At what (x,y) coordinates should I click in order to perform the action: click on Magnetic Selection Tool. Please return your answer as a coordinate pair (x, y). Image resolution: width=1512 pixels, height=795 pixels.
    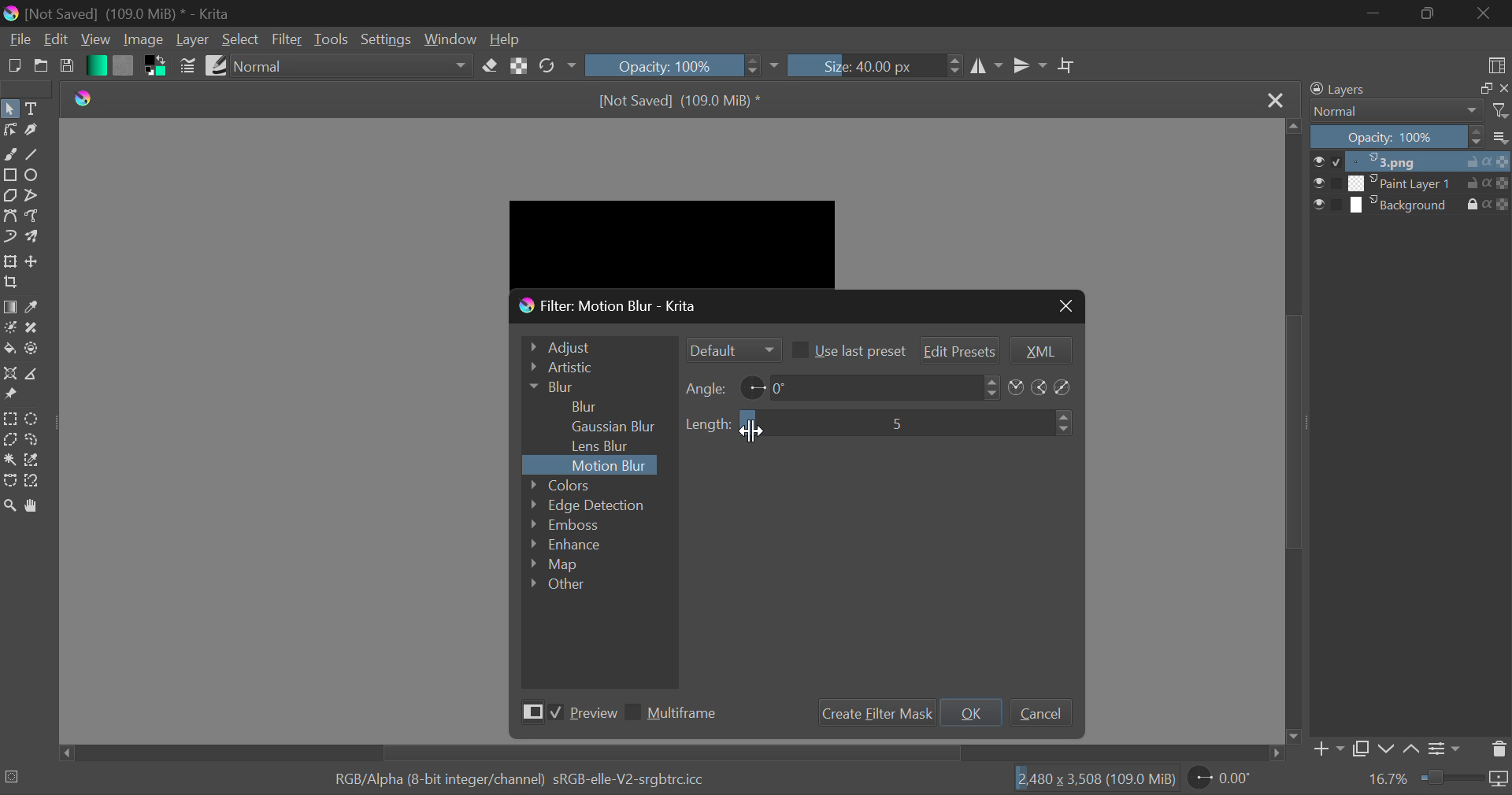
    Looking at the image, I should click on (33, 484).